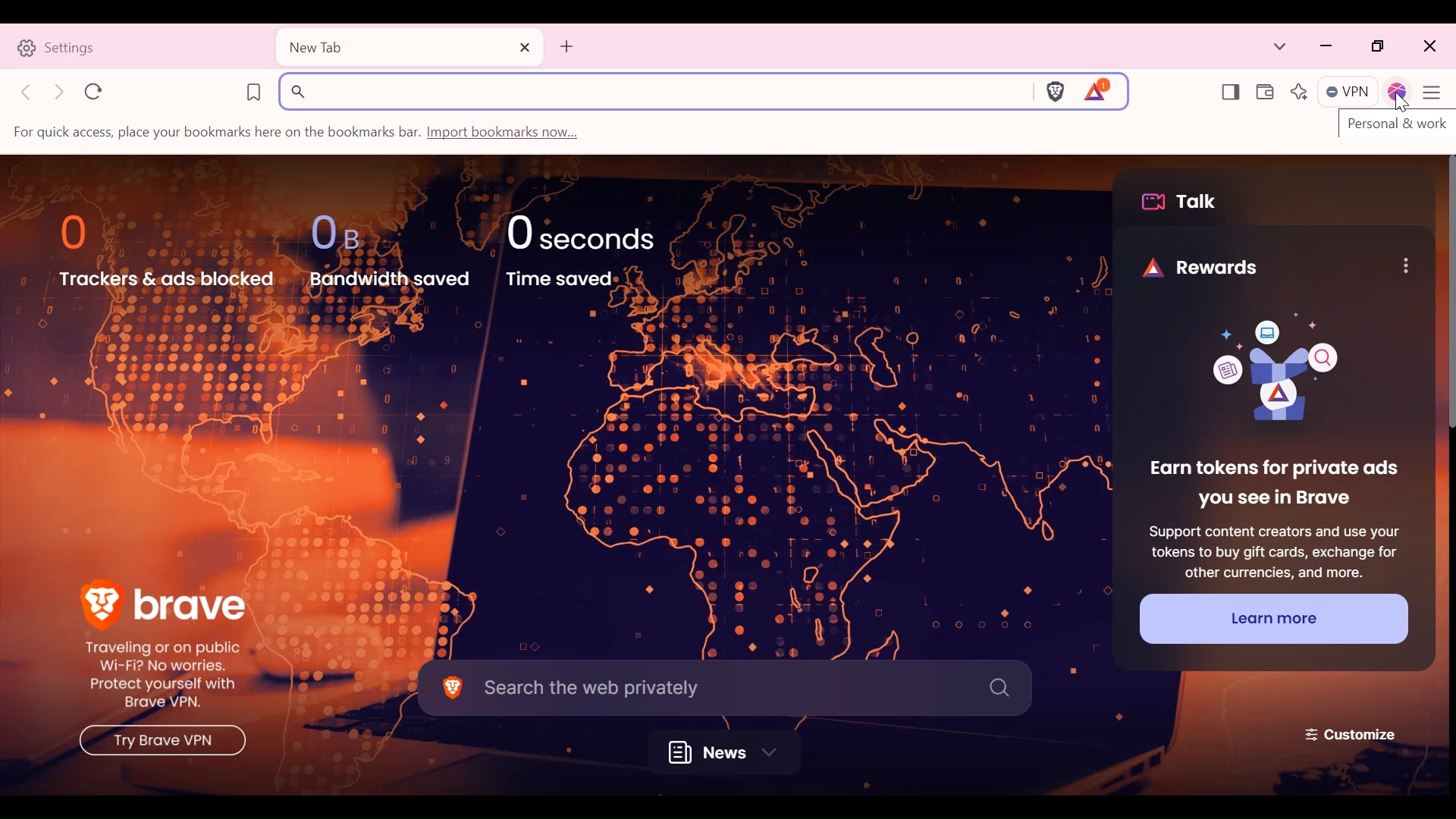  What do you see at coordinates (1272, 549) in the screenshot?
I see `a Support content creators and use your
tokens to buy gift cards, exchange for
other currencies, and more.` at bounding box center [1272, 549].